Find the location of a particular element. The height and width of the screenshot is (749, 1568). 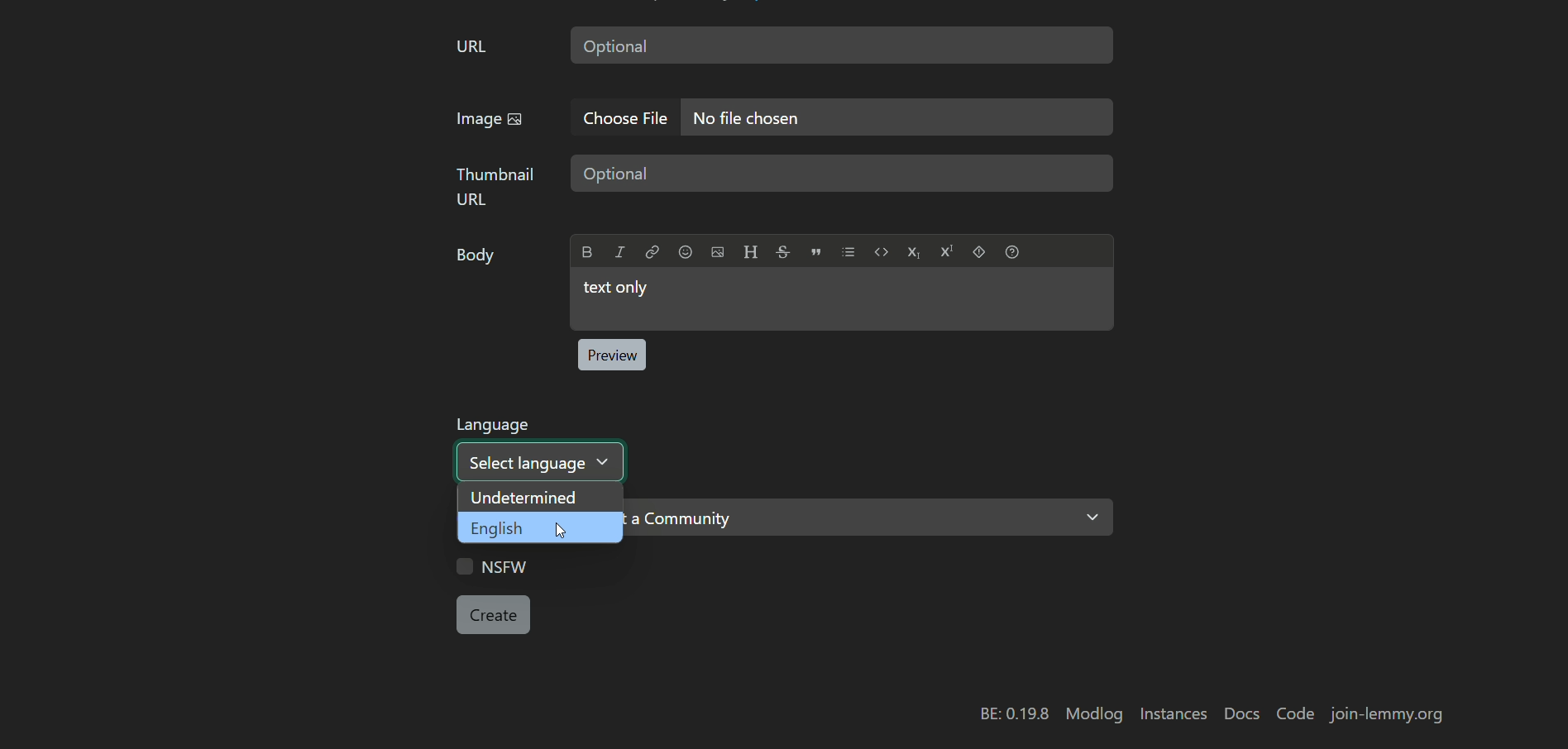

NSFW is located at coordinates (492, 565).